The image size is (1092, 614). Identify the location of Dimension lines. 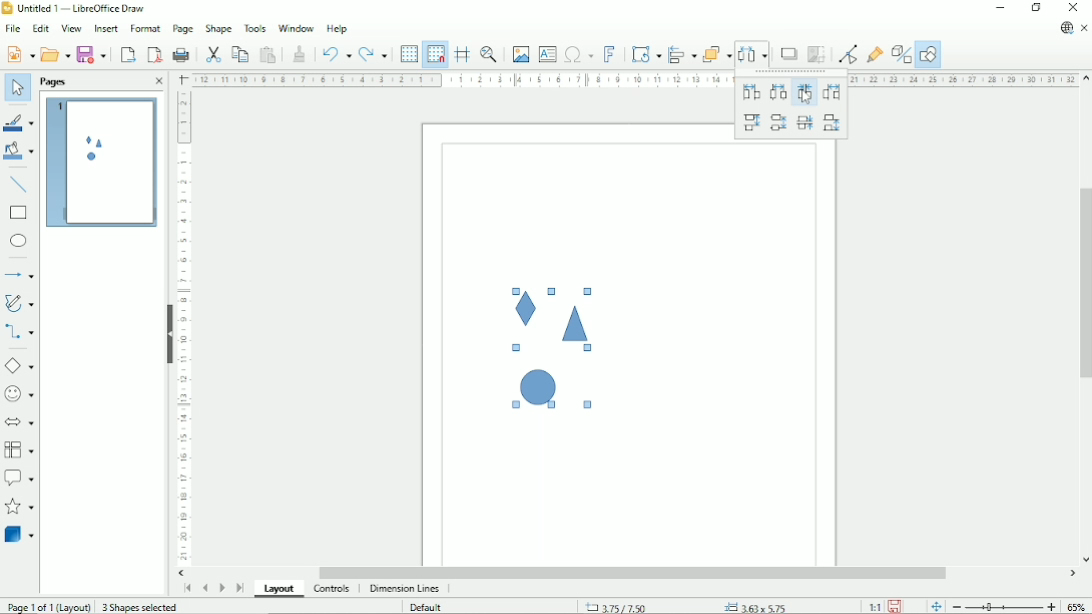
(406, 589).